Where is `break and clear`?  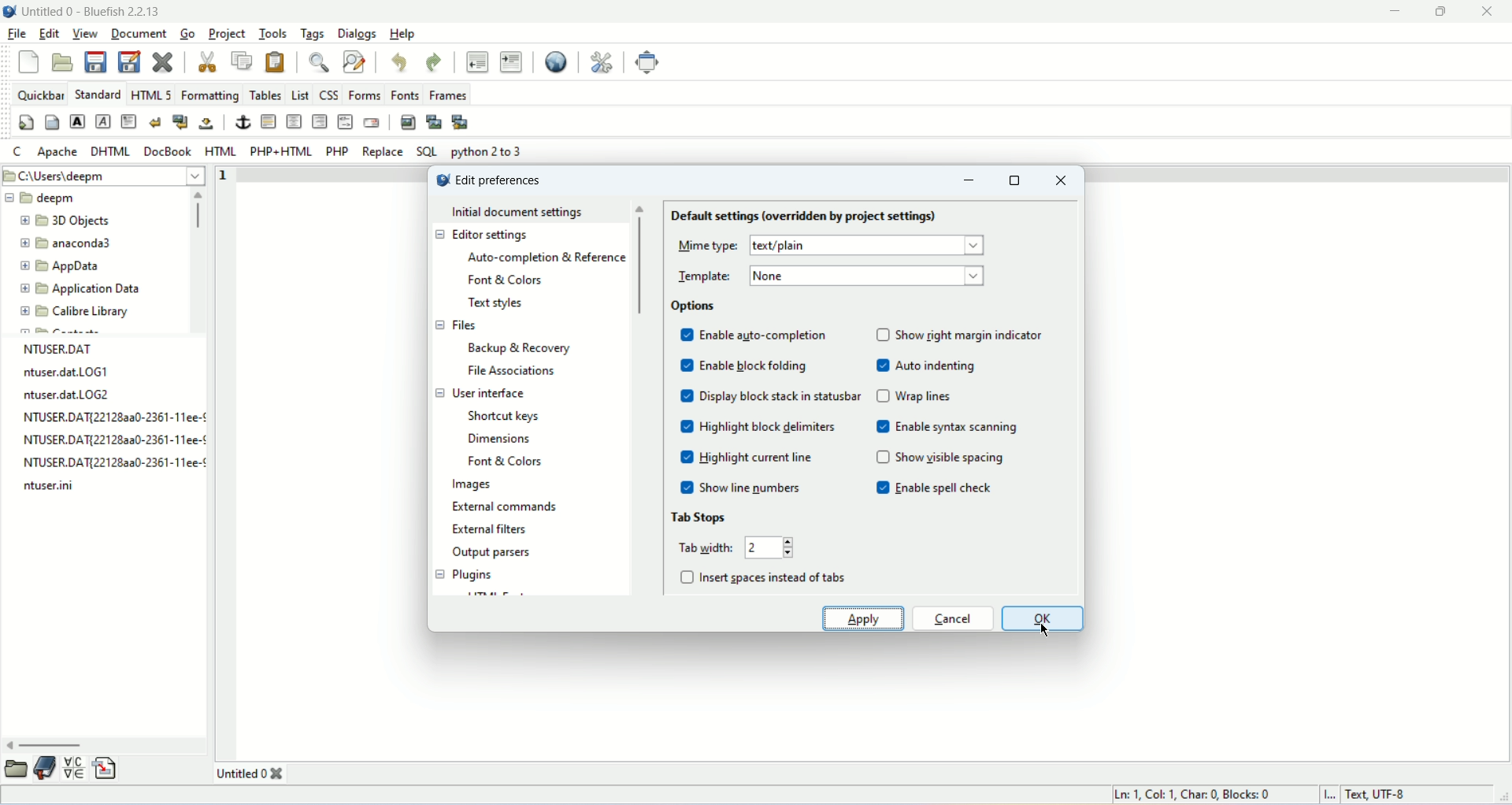
break and clear is located at coordinates (180, 122).